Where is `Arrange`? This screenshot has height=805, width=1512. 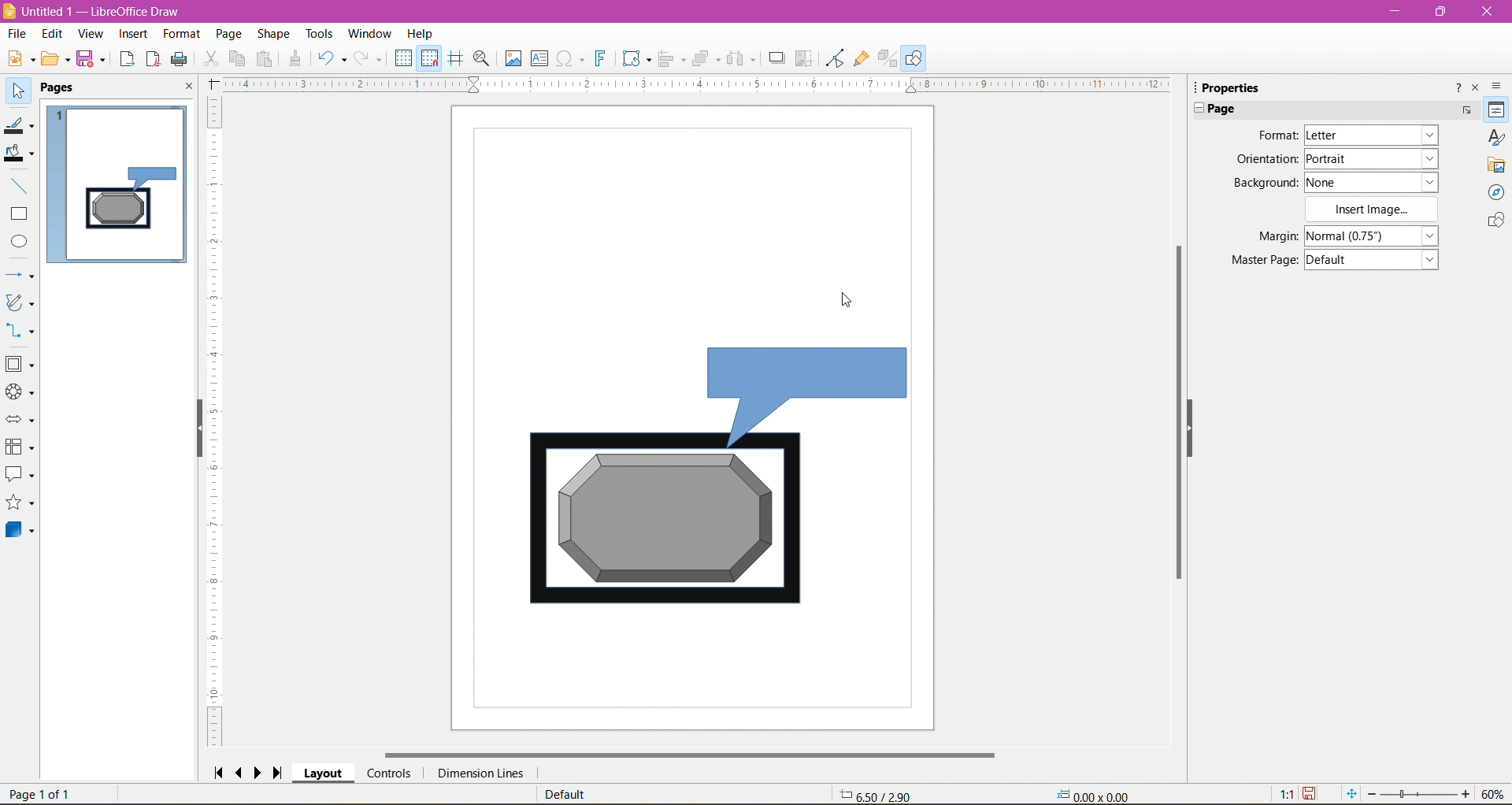 Arrange is located at coordinates (706, 57).